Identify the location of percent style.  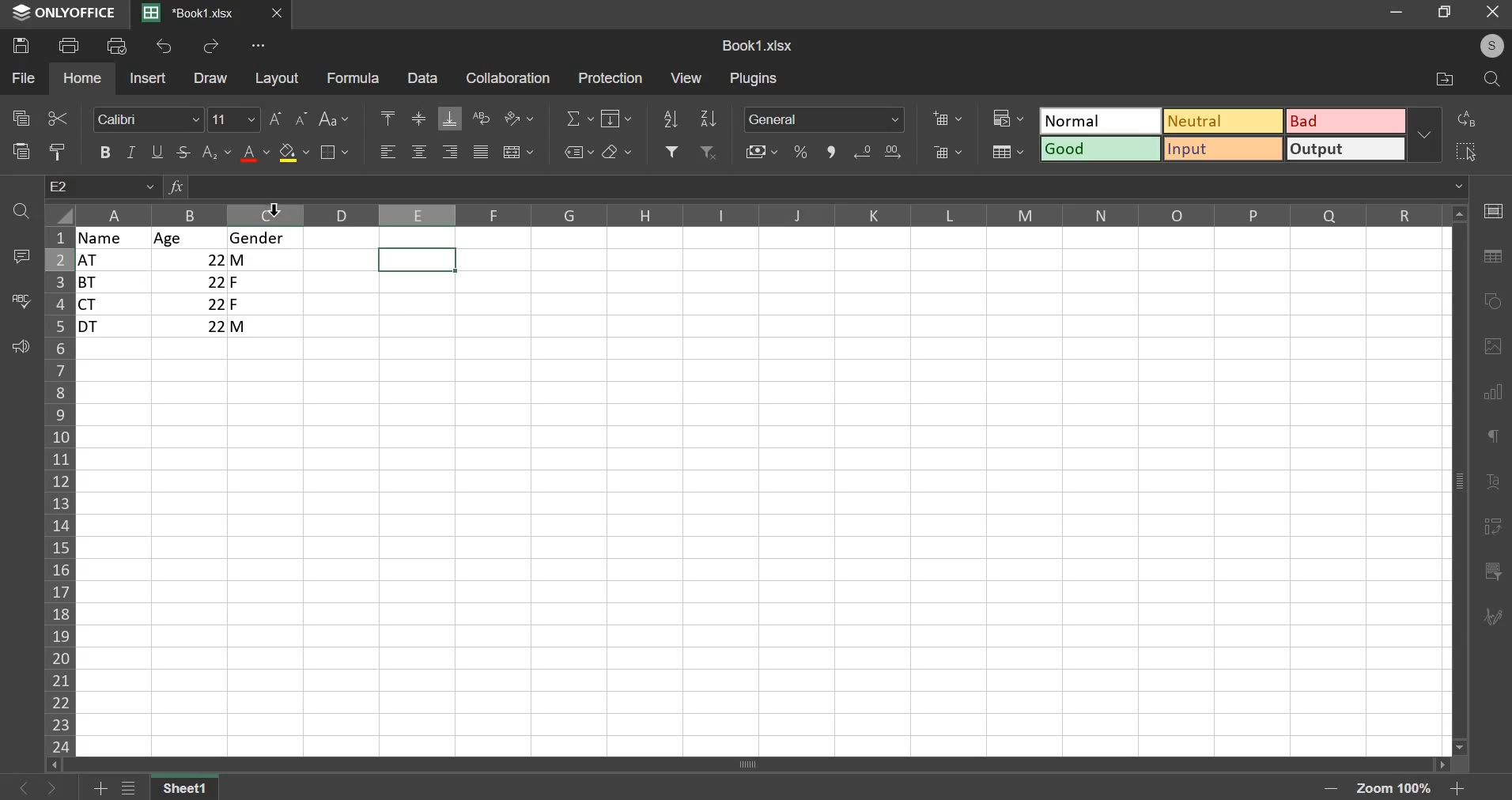
(800, 153).